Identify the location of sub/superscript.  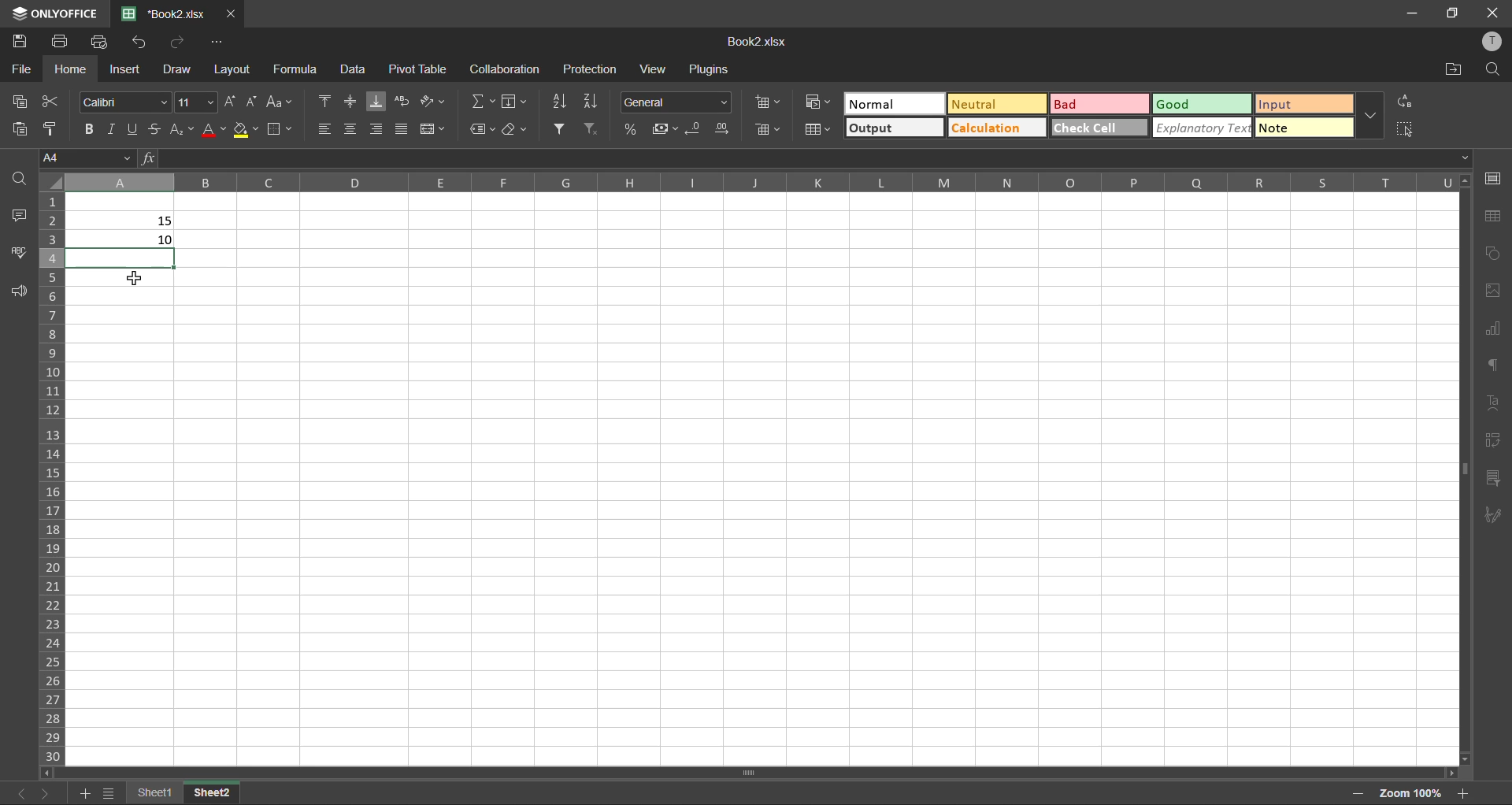
(183, 128).